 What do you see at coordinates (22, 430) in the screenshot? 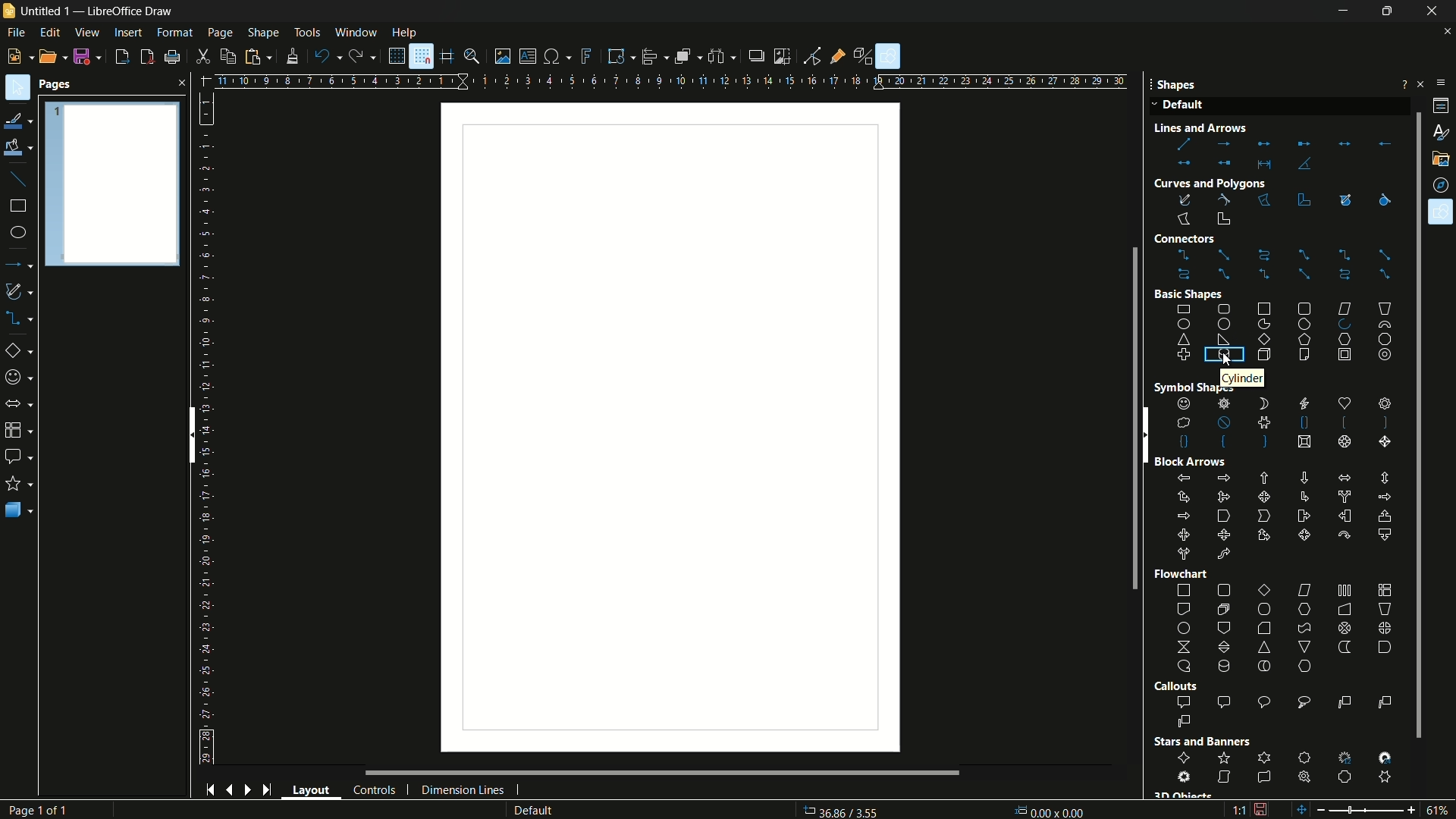
I see `flow chart` at bounding box center [22, 430].